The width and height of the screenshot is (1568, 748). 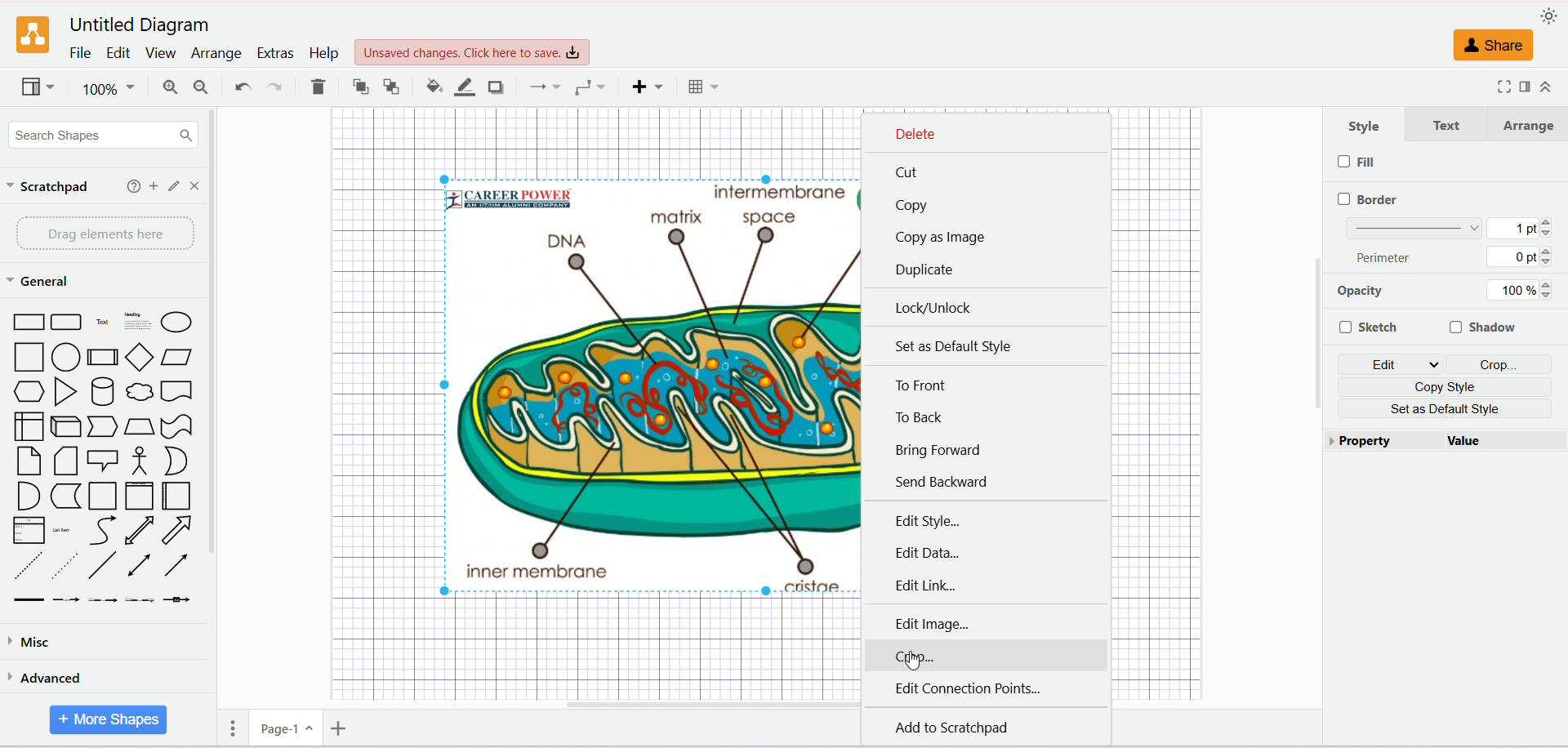 What do you see at coordinates (933, 308) in the screenshot?
I see `lock/unlock` at bounding box center [933, 308].